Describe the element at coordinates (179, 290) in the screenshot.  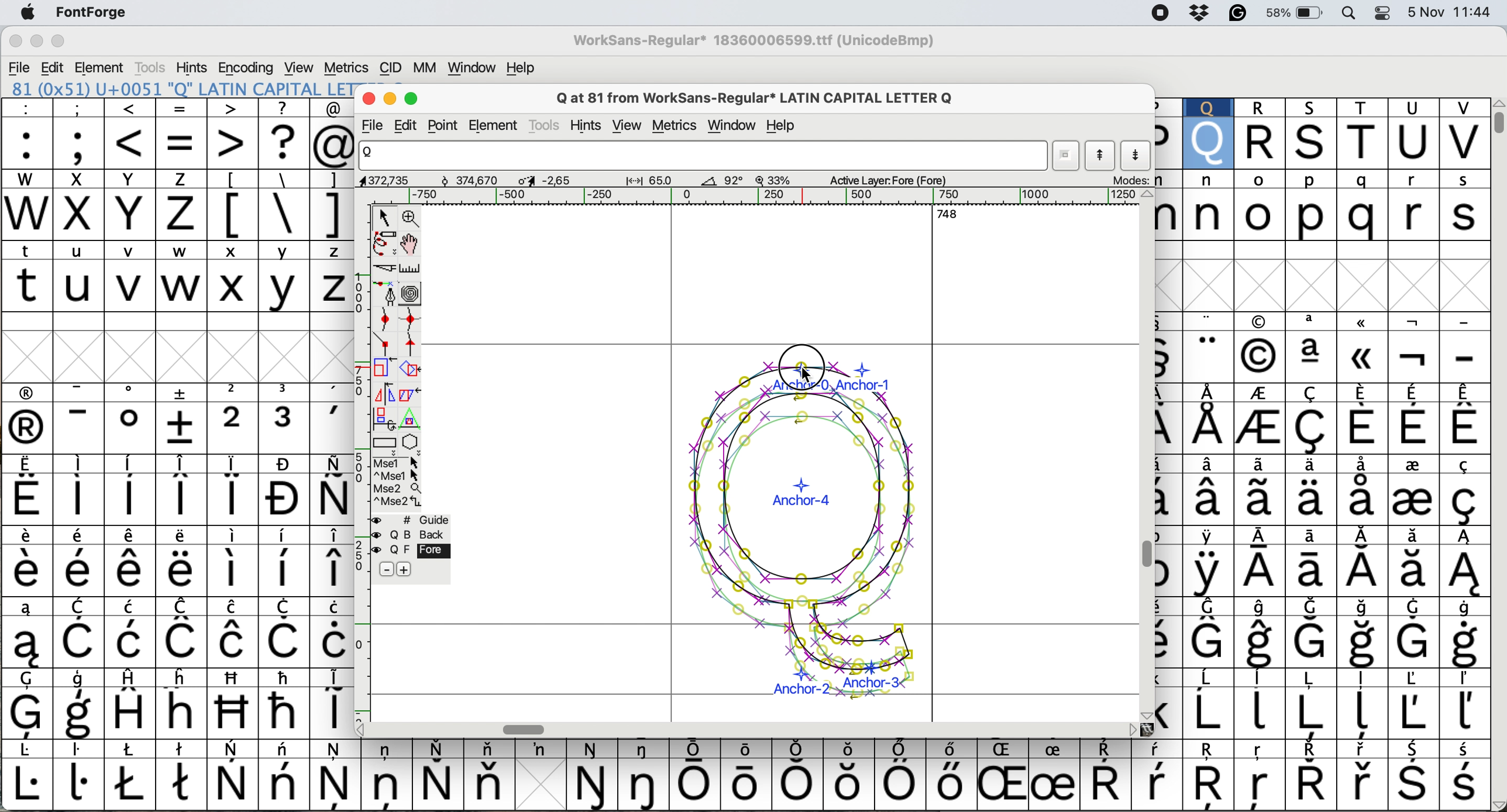
I see `uppercase letters` at that location.